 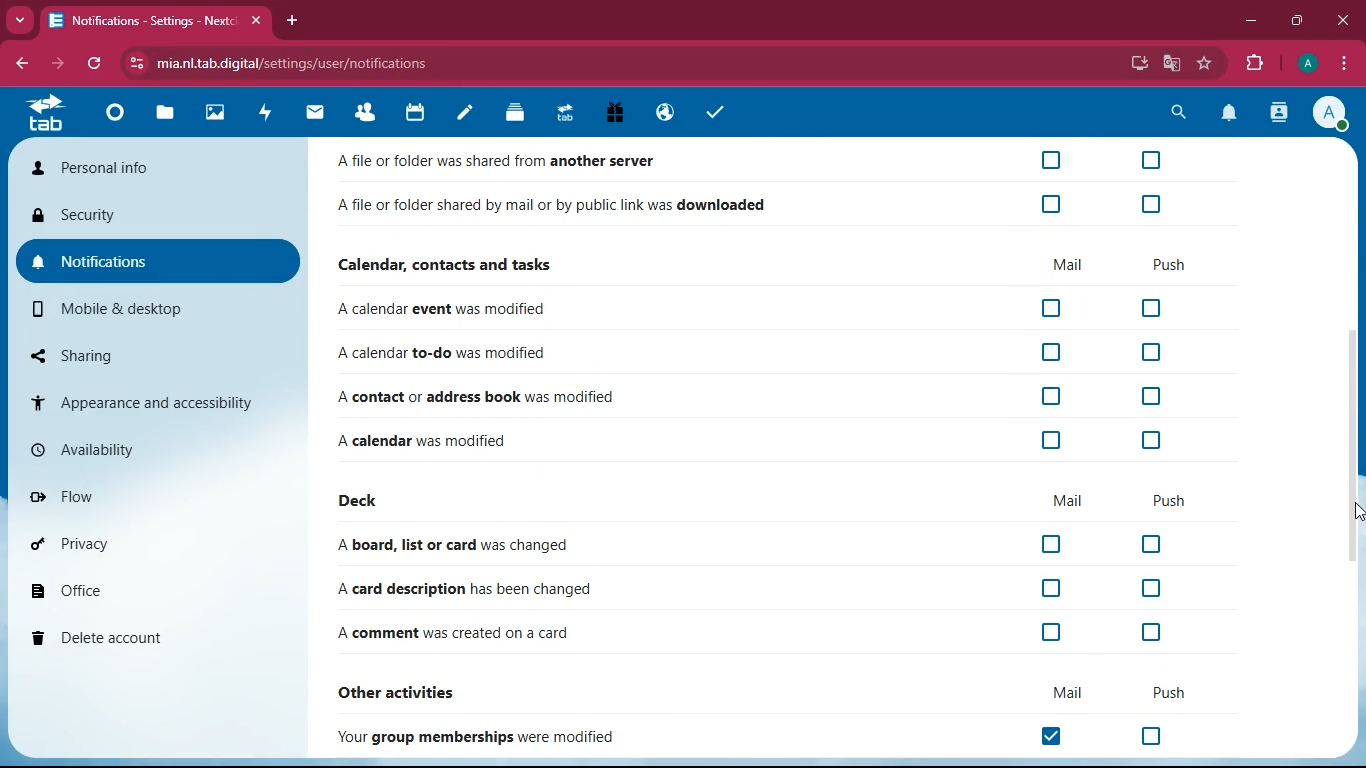 I want to click on home, so click(x=113, y=112).